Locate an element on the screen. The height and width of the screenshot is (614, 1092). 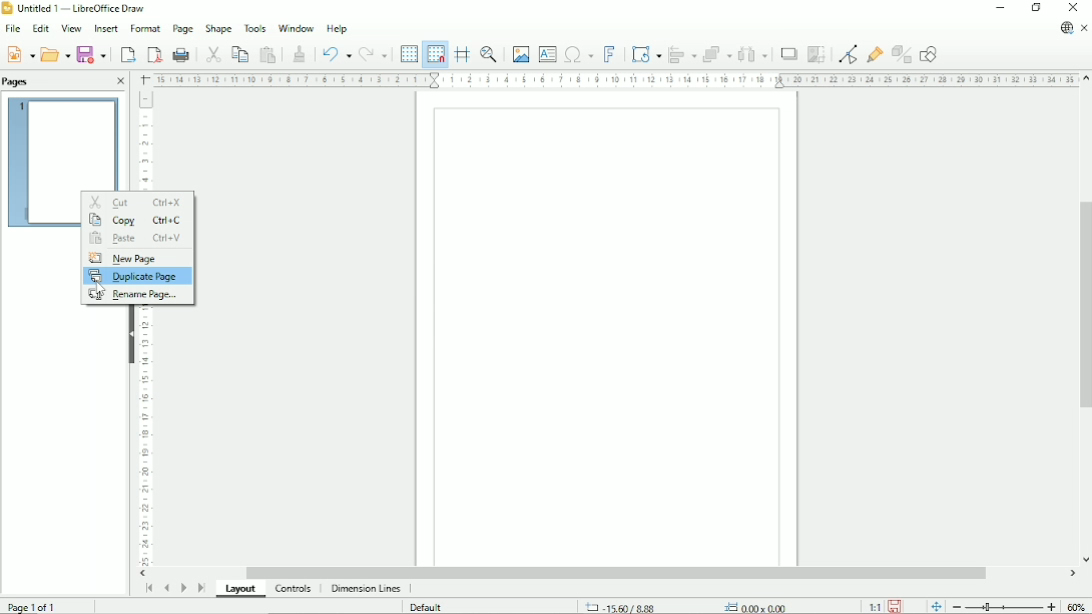
Shadow is located at coordinates (788, 54).